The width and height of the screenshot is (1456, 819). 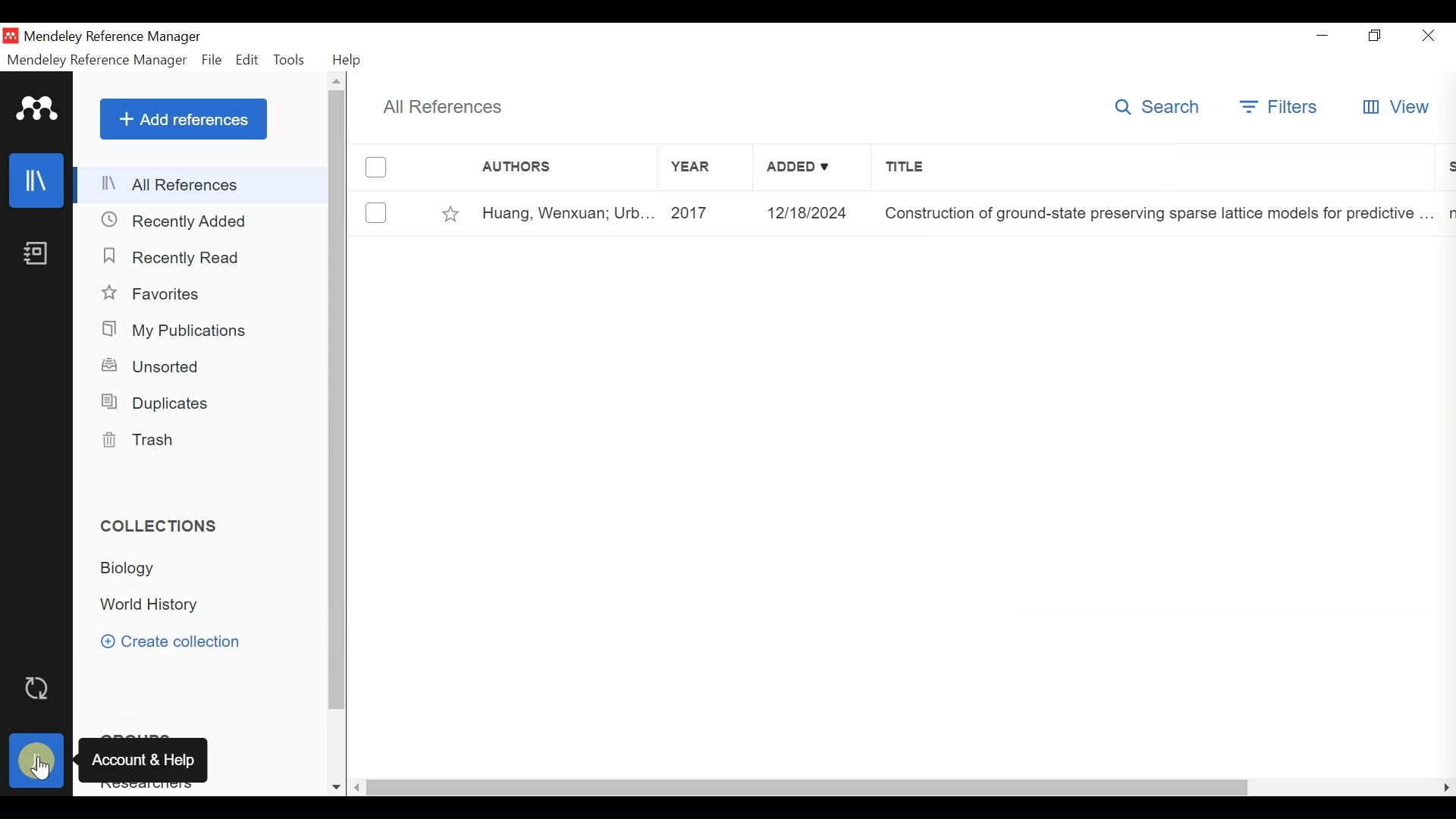 I want to click on Vertical Scroll bar, so click(x=338, y=401).